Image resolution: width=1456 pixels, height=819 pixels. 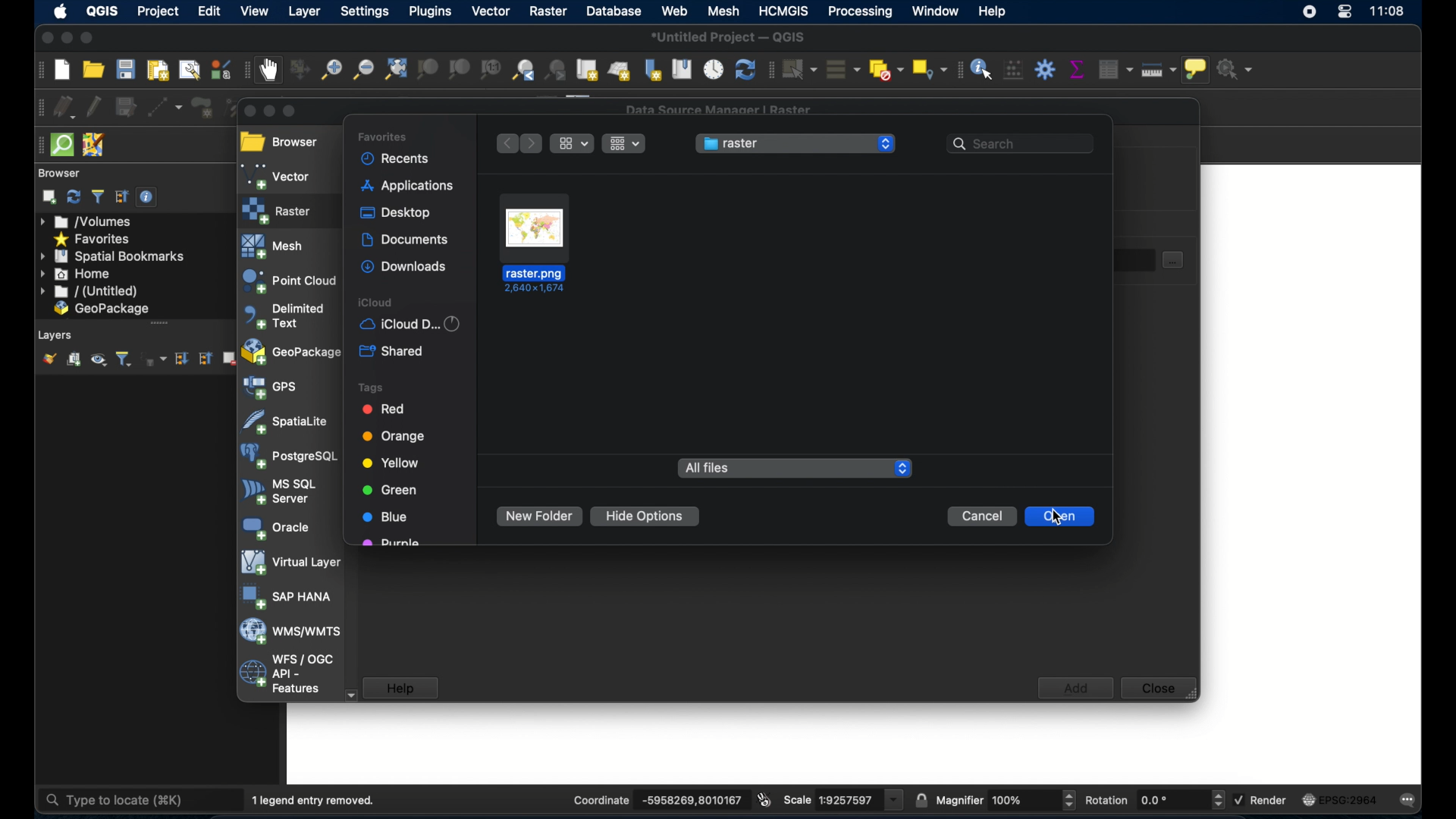 I want to click on remove layer/group, so click(x=229, y=358).